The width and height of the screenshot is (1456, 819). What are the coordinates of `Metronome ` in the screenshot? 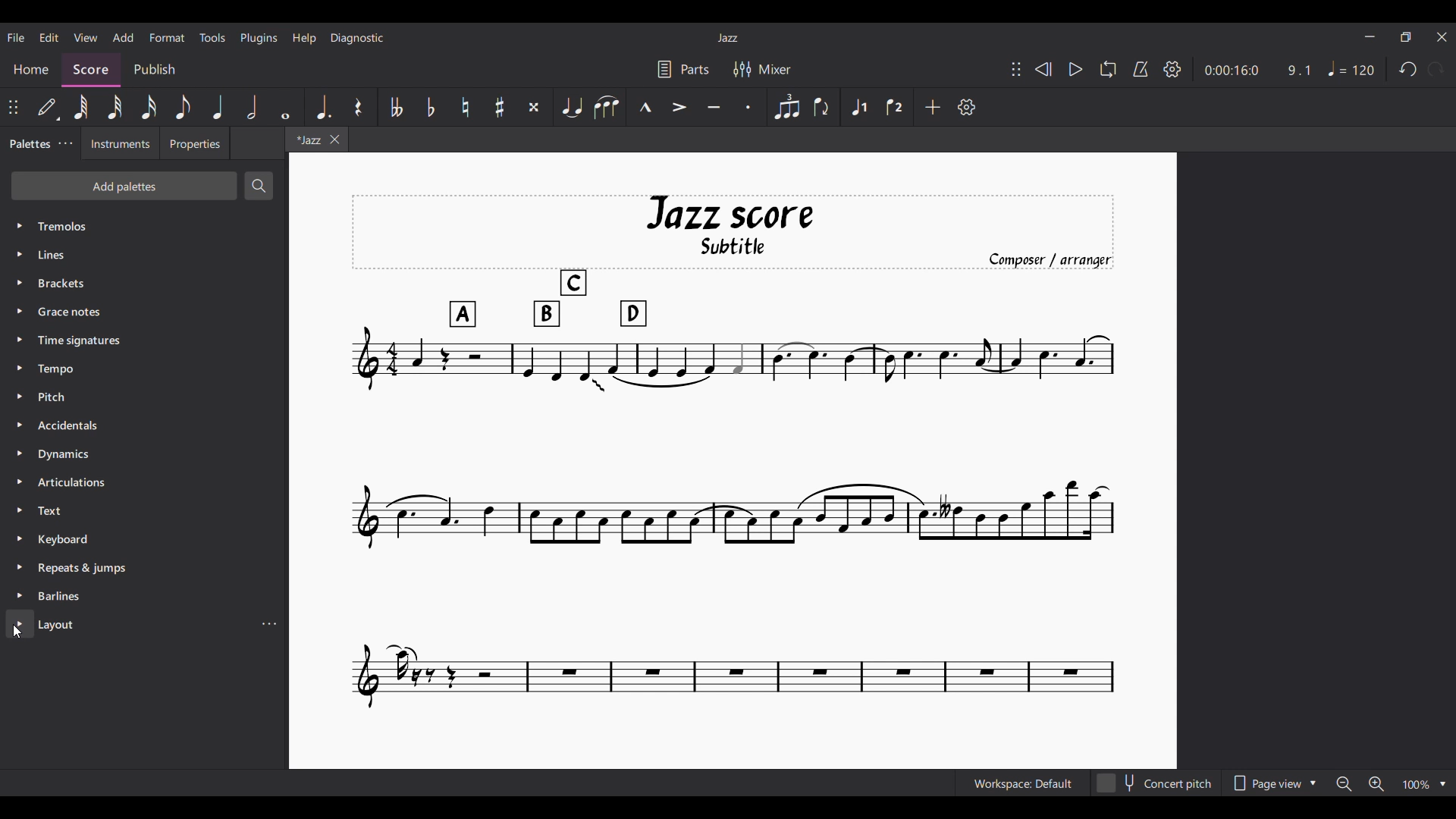 It's located at (1141, 69).